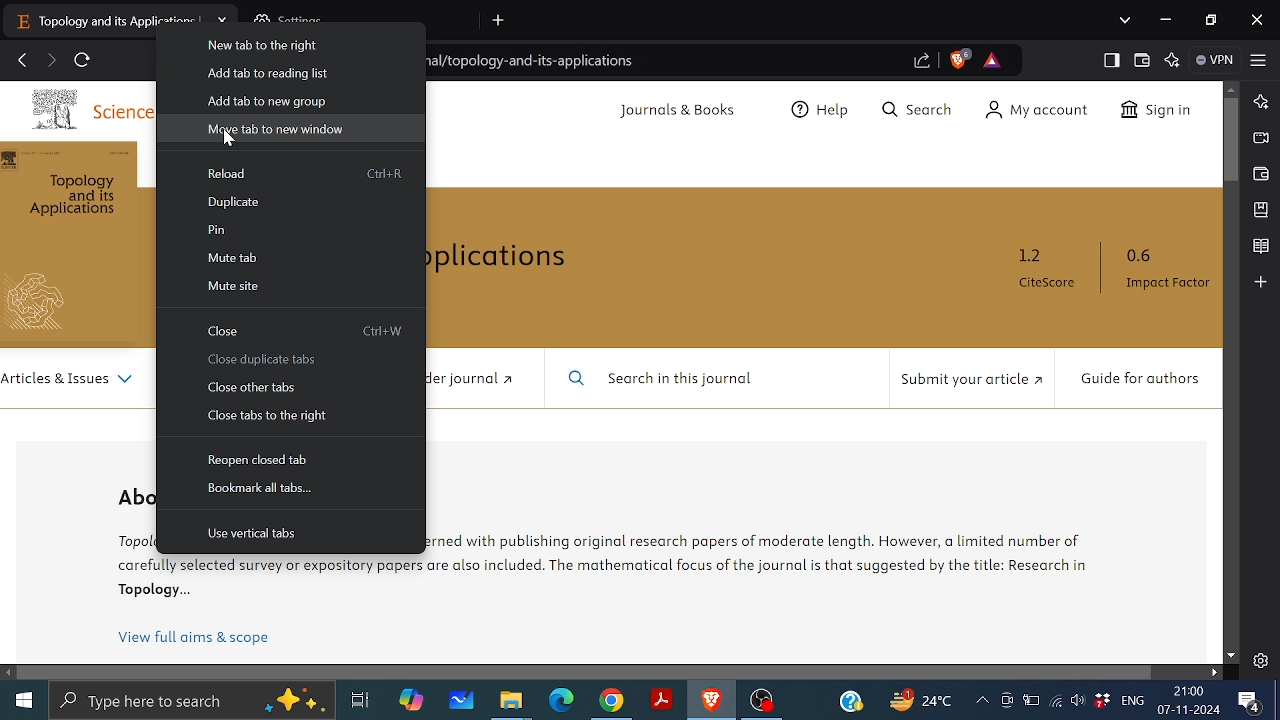 The height and width of the screenshot is (720, 1280). I want to click on Dropbox, so click(1102, 701).